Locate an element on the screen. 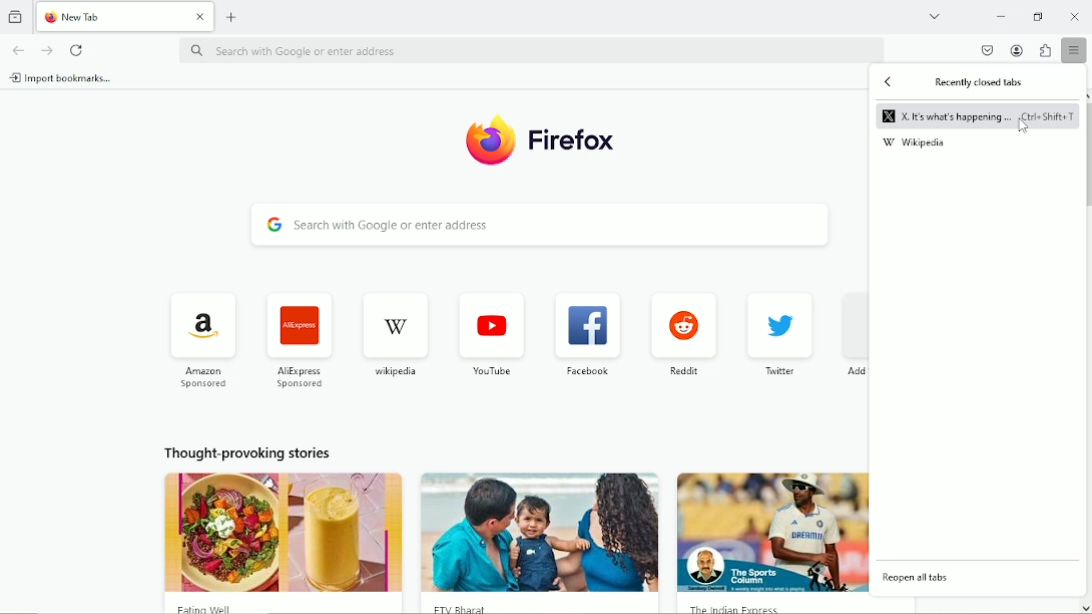  Eating Well is located at coordinates (284, 604).